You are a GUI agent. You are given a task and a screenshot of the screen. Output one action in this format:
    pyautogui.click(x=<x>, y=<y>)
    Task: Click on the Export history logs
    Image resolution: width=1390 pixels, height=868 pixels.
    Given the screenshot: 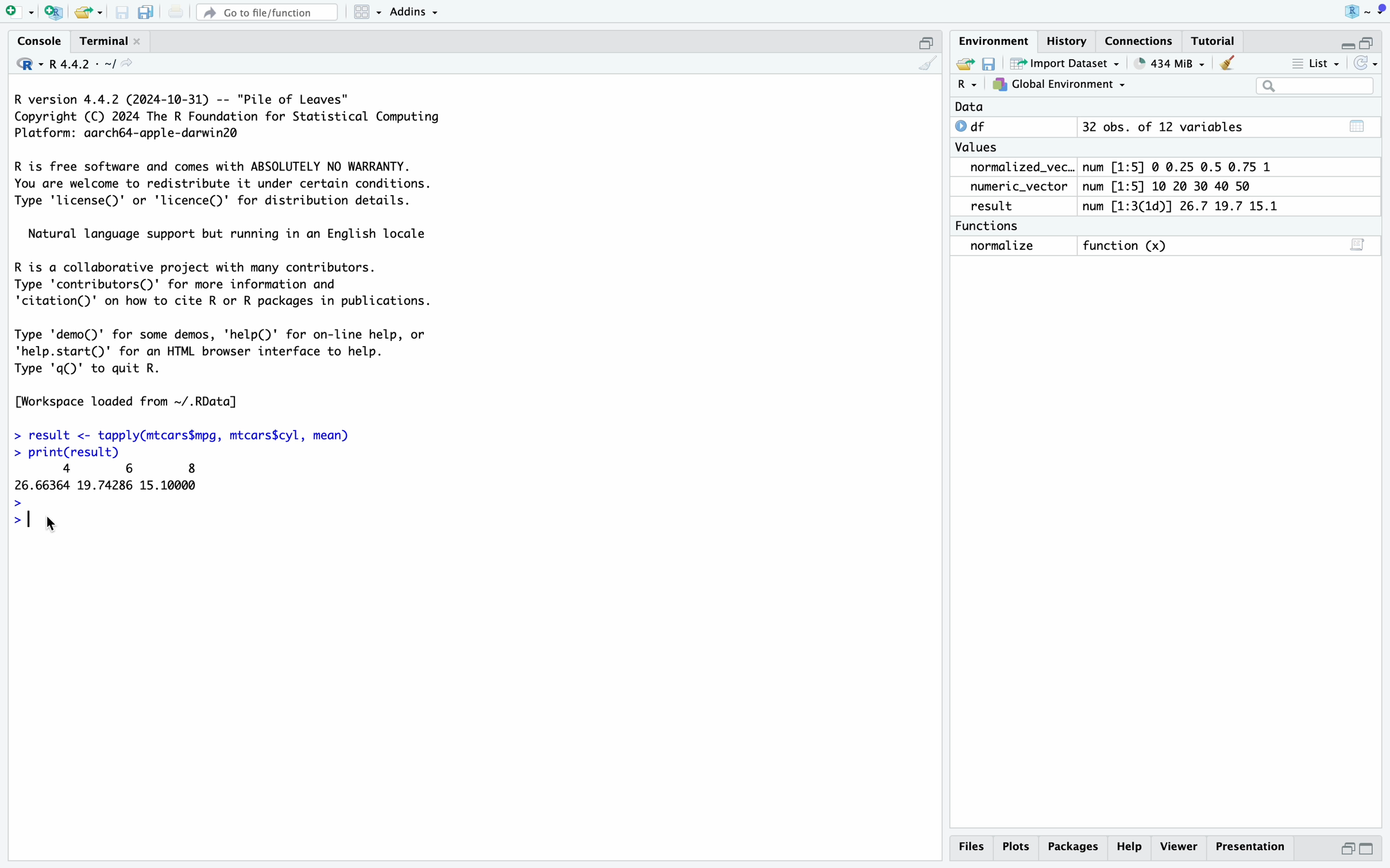 What is the action you would take?
    pyautogui.click(x=964, y=63)
    